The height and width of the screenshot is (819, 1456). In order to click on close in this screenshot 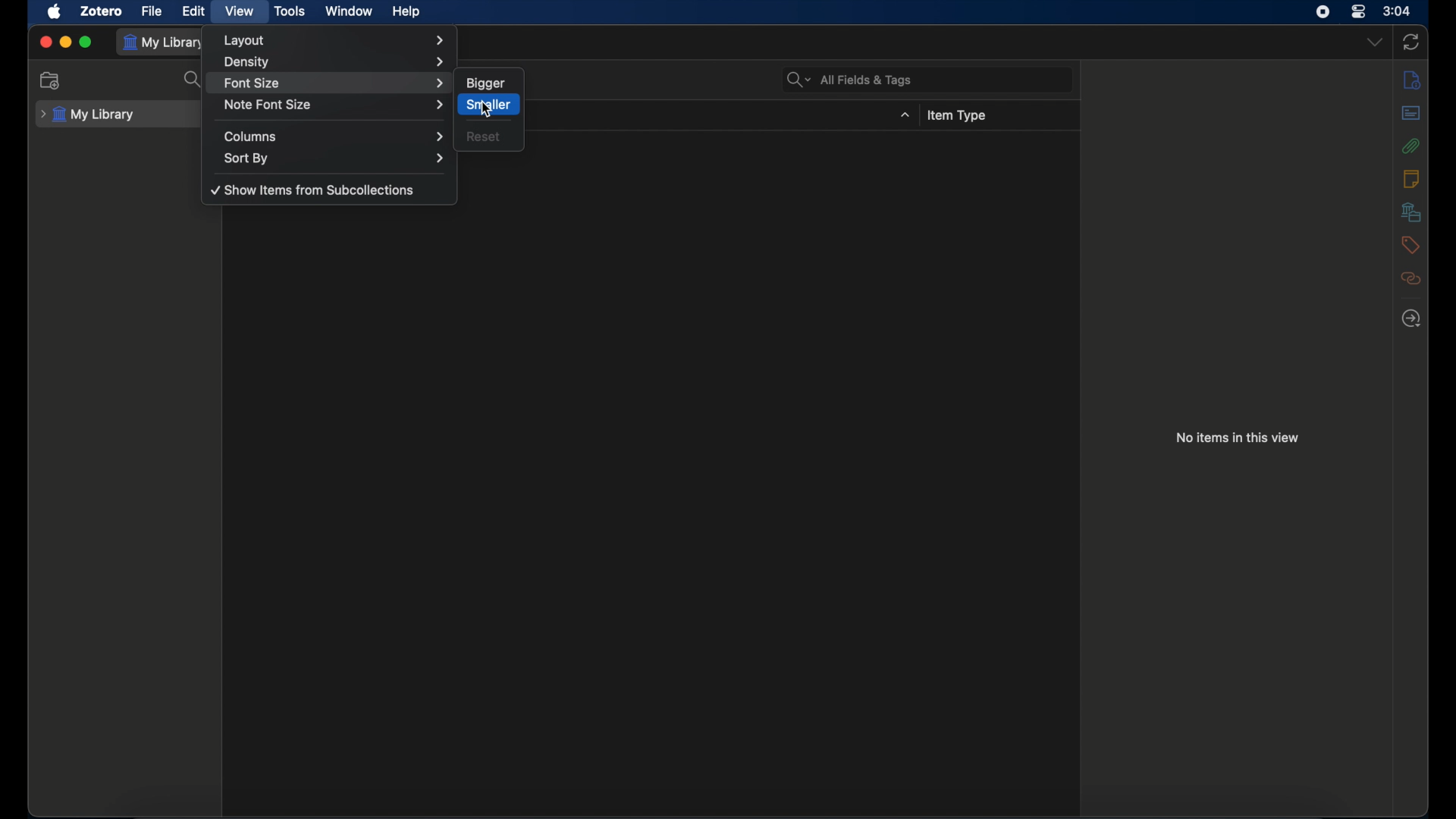, I will do `click(45, 42)`.